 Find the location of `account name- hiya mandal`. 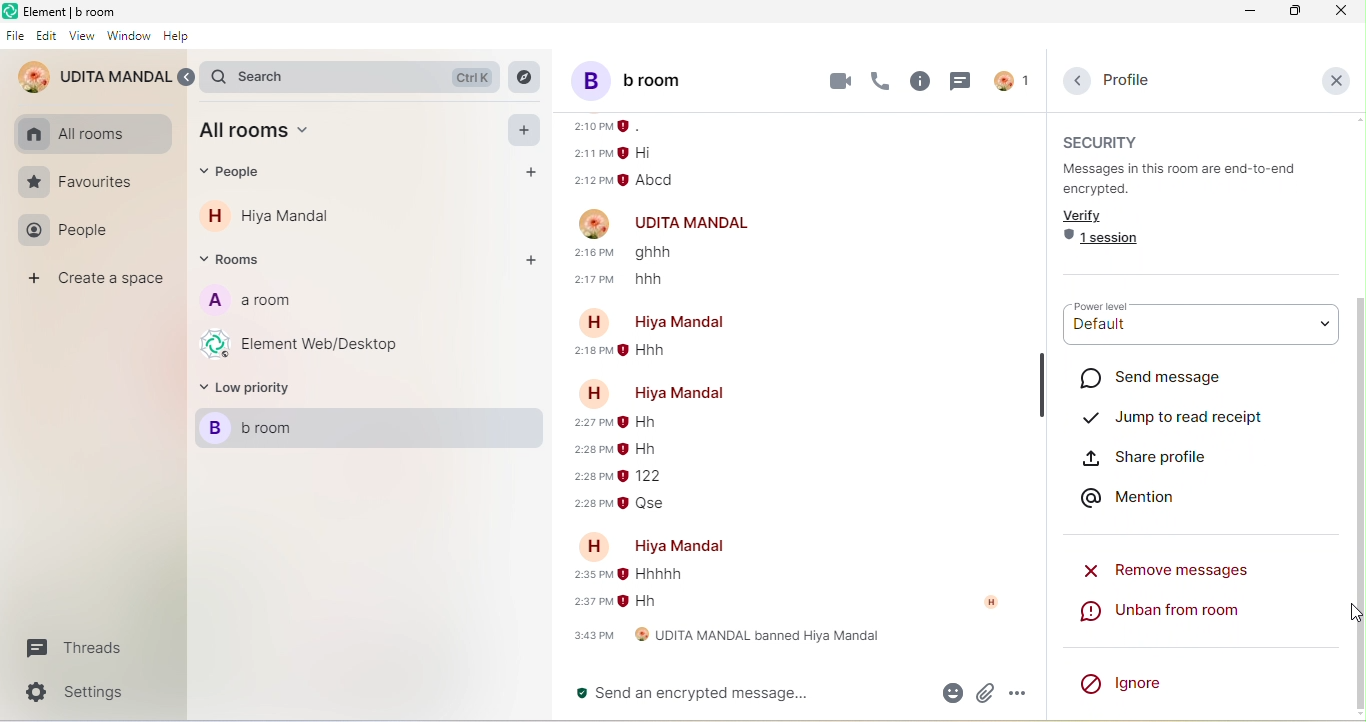

account name- hiya mandal is located at coordinates (649, 392).